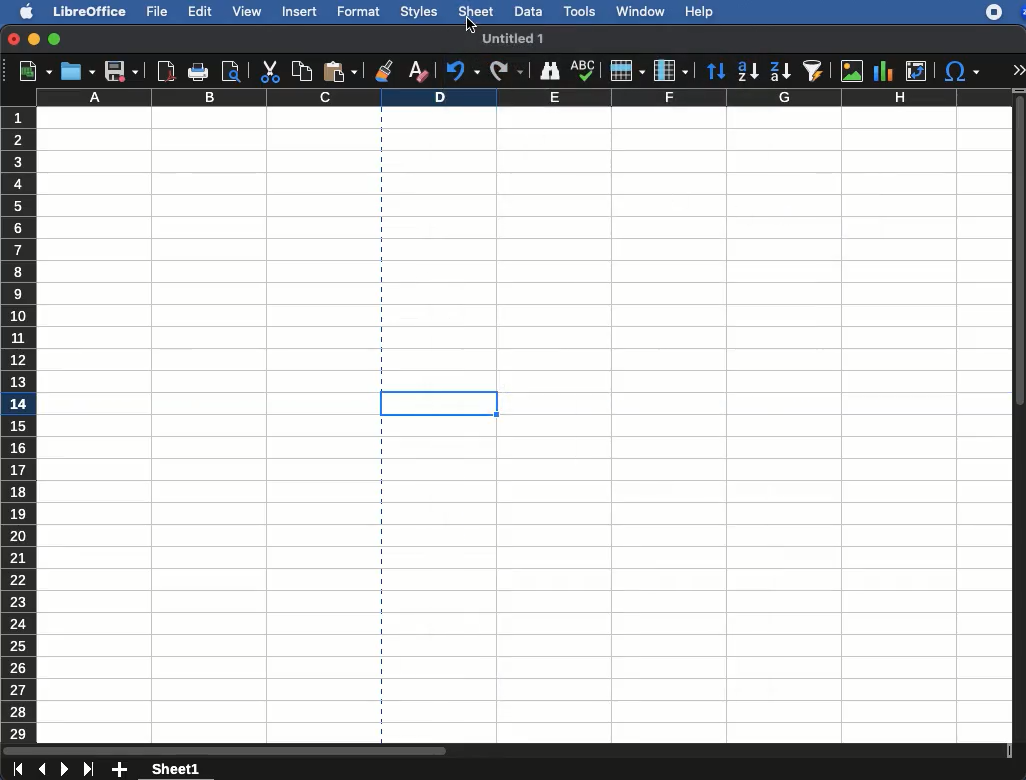 This screenshot has height=780, width=1026. What do you see at coordinates (508, 71) in the screenshot?
I see `redo` at bounding box center [508, 71].